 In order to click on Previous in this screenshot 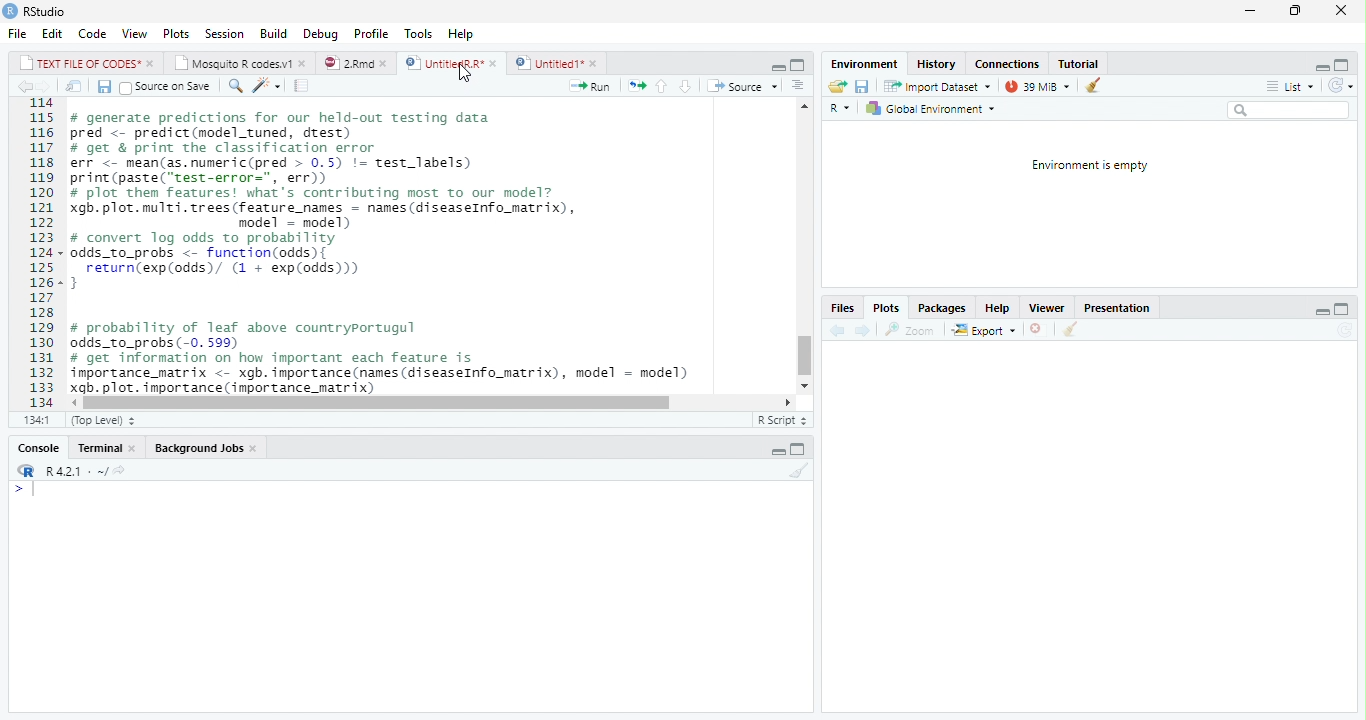, I will do `click(23, 87)`.